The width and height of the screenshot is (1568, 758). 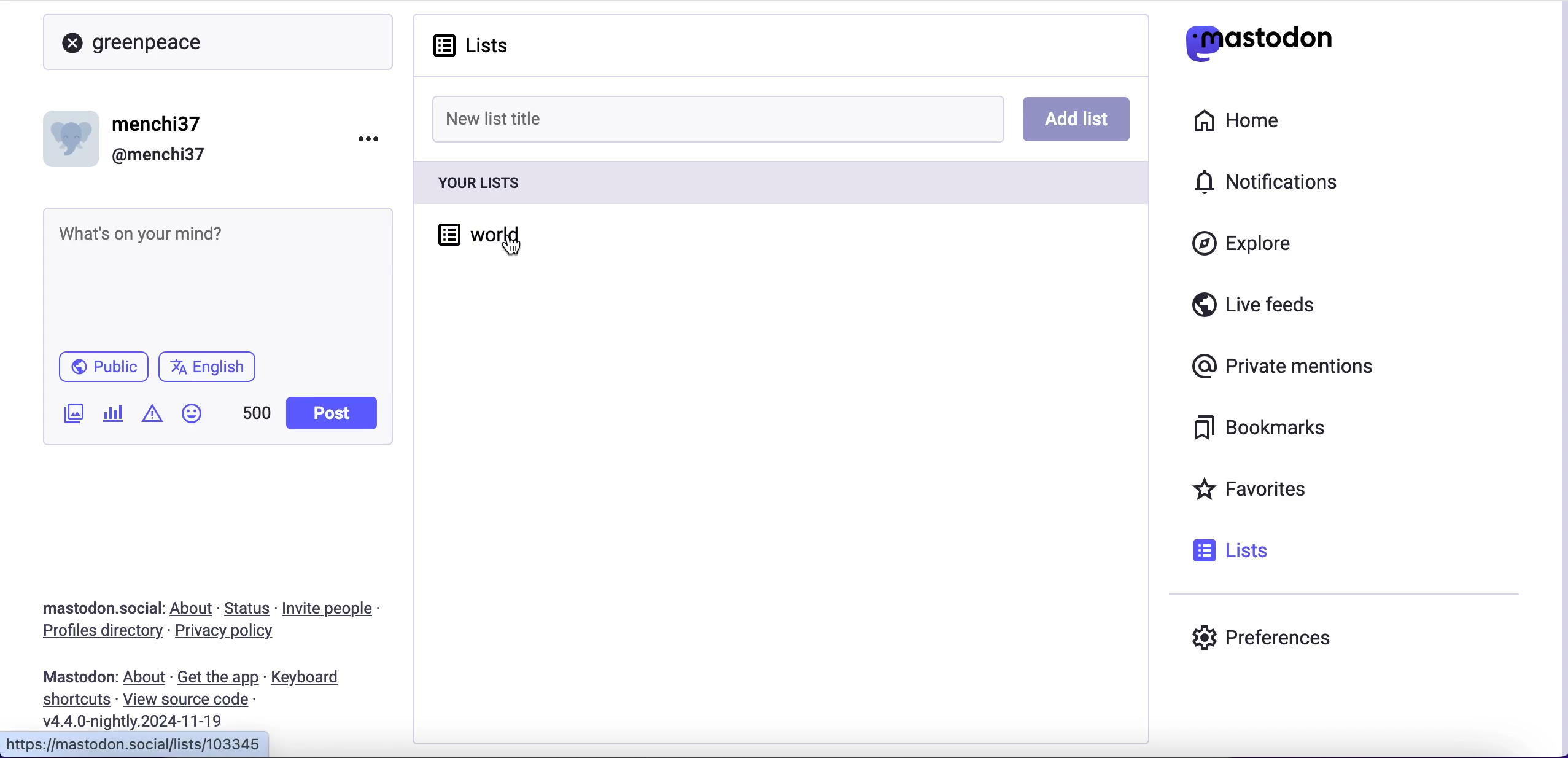 I want to click on about, so click(x=147, y=678).